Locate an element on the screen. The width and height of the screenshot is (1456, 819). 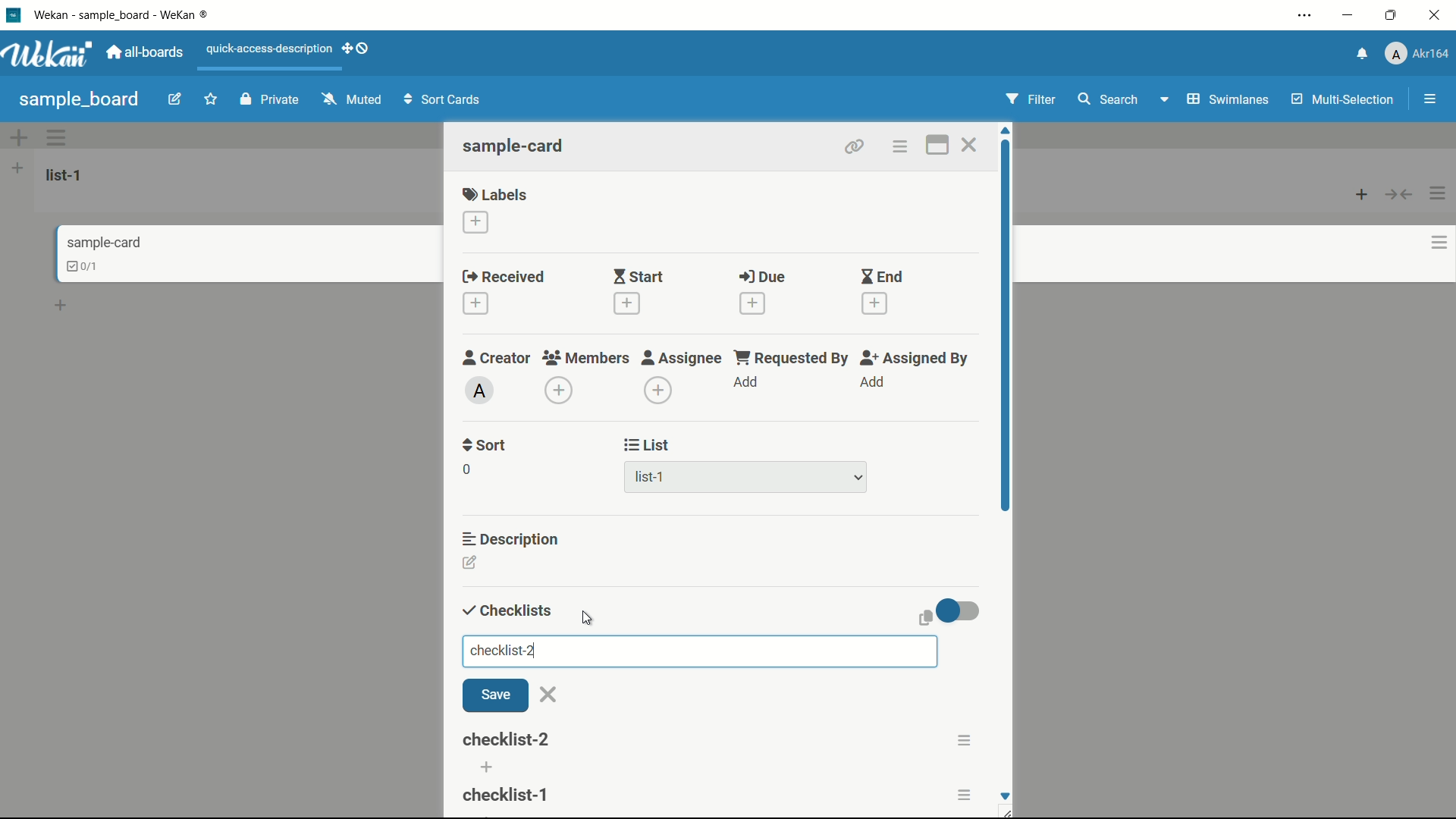
sort cards is located at coordinates (444, 101).